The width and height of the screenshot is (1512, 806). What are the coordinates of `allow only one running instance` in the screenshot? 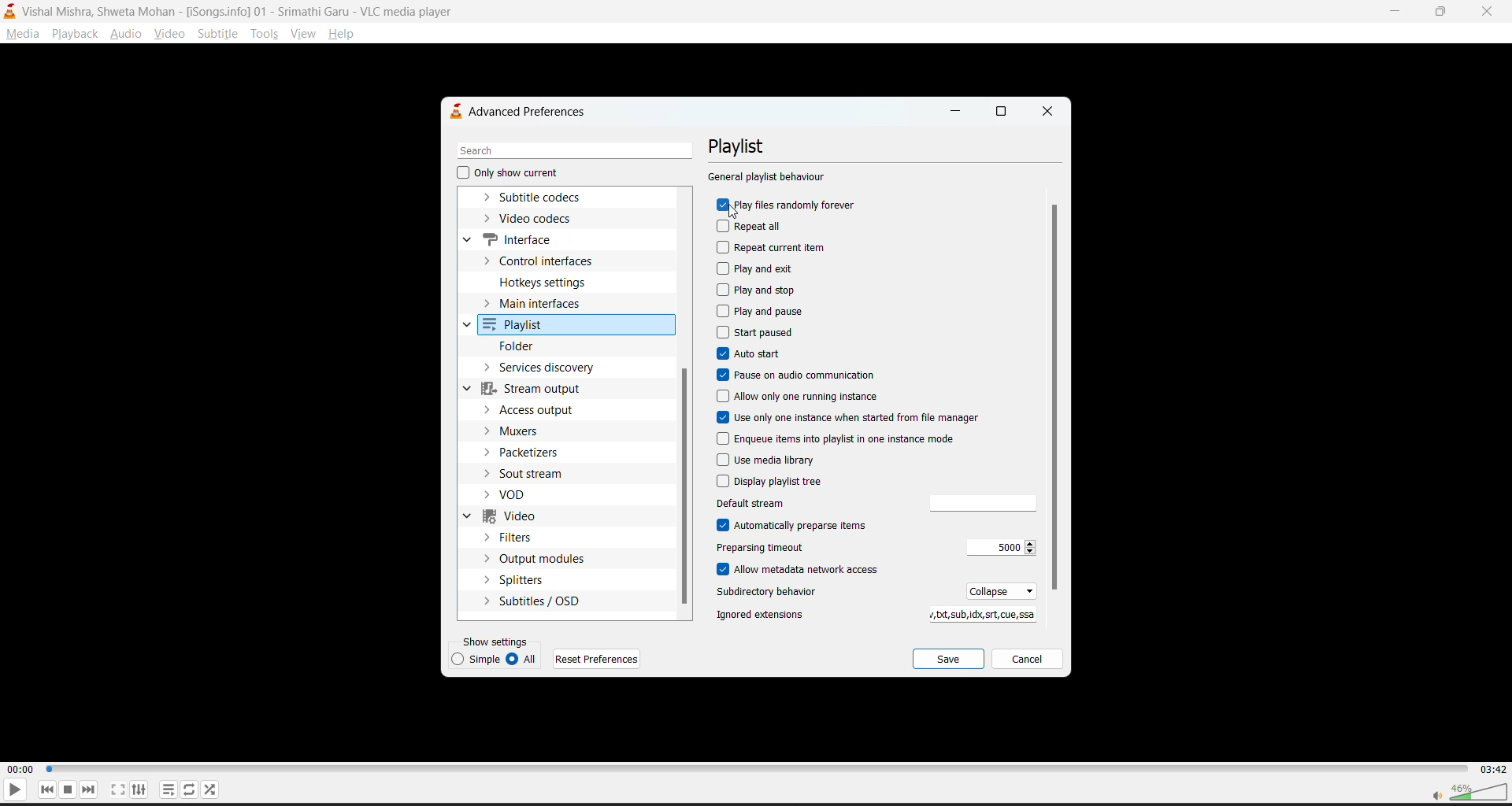 It's located at (798, 399).